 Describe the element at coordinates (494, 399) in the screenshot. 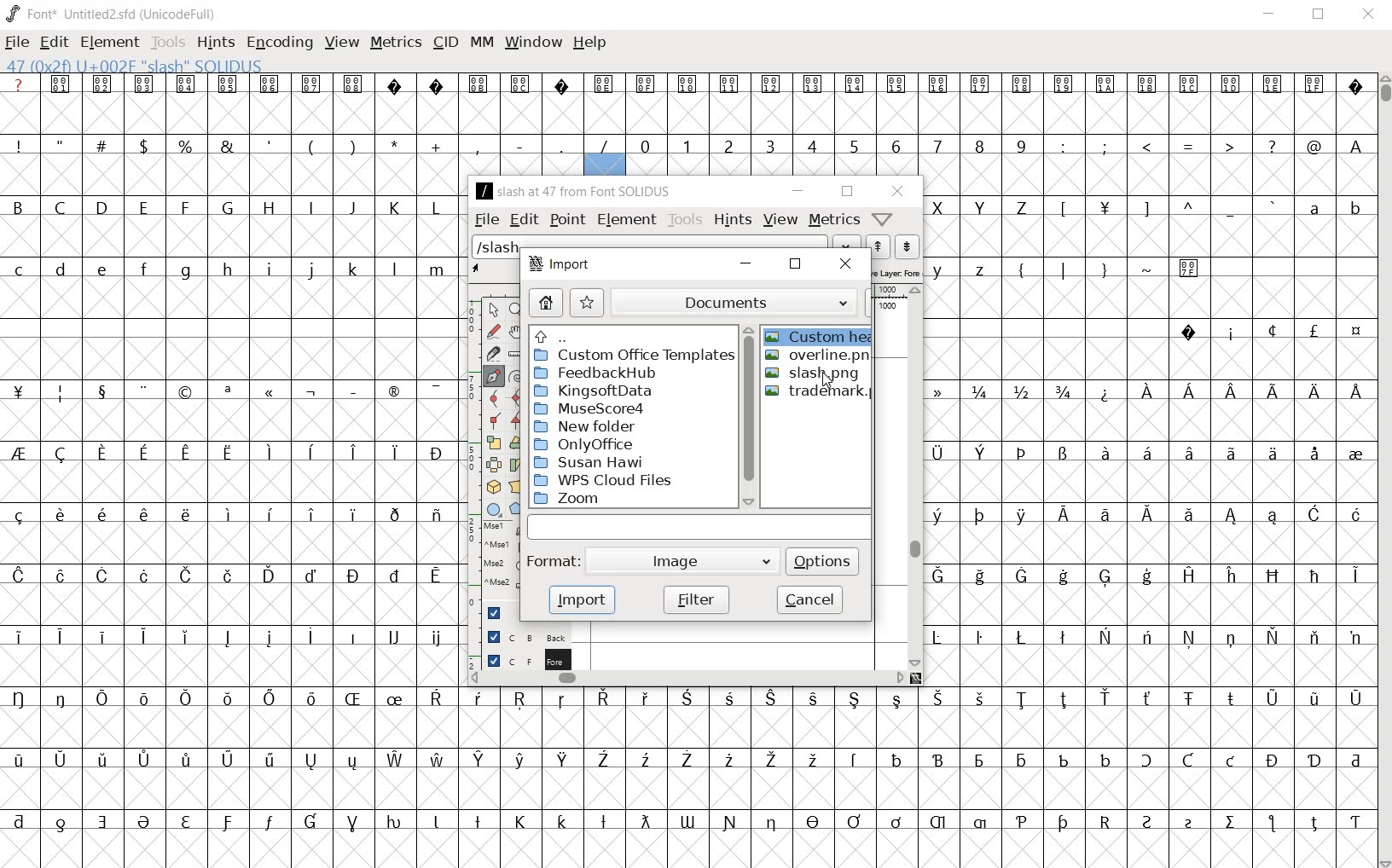

I see `add a curve point` at that location.